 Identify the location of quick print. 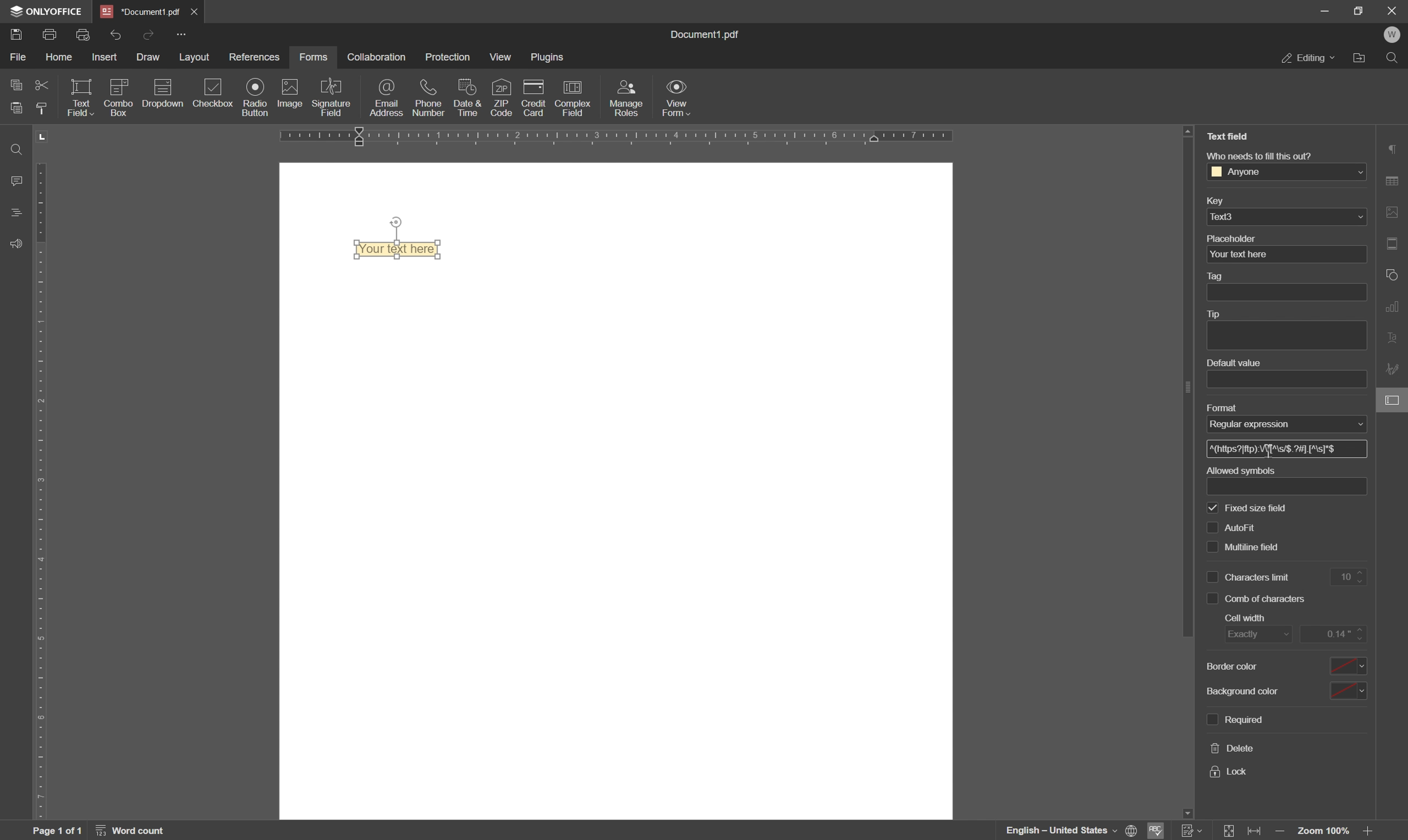
(88, 35).